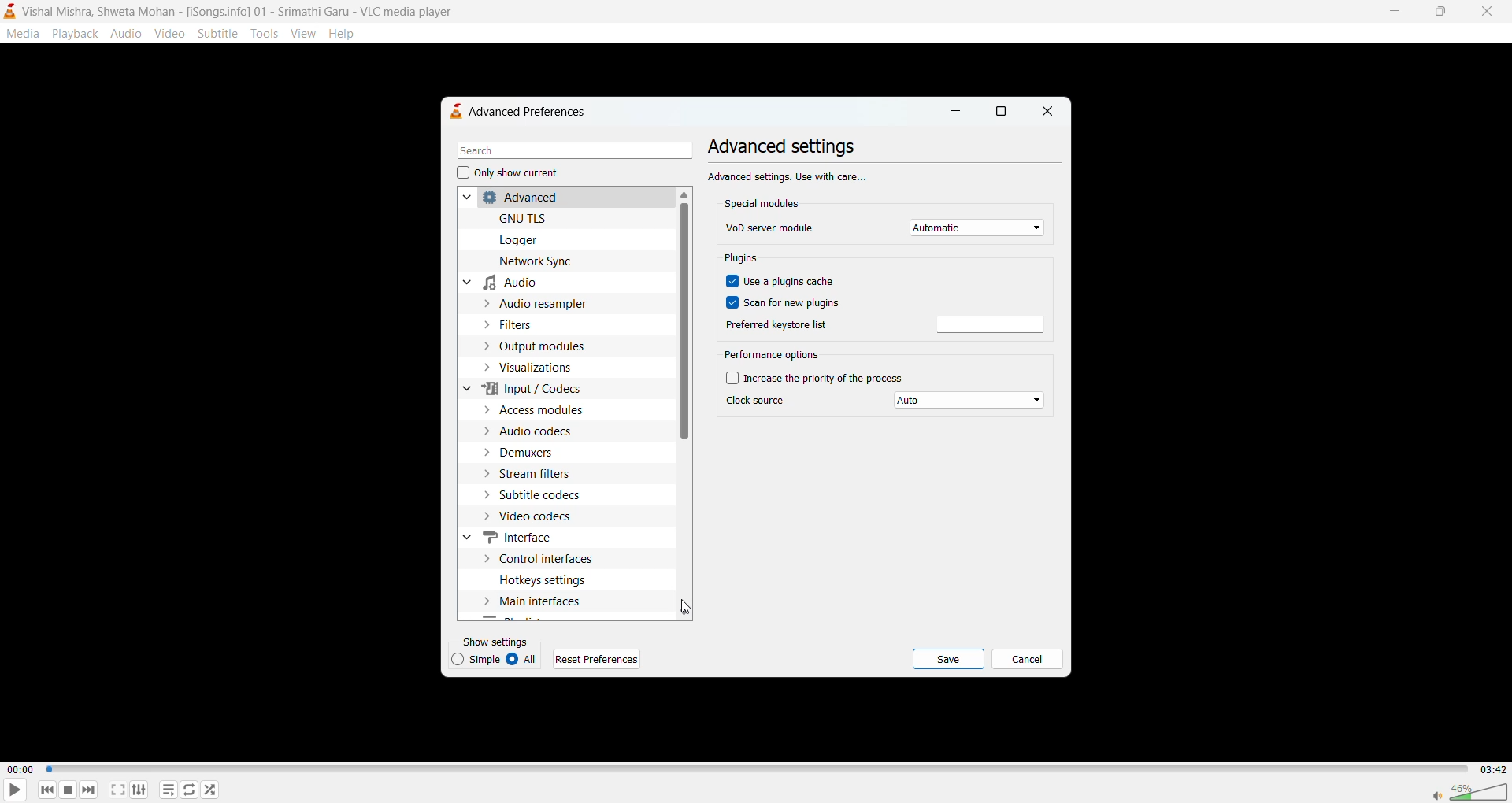 This screenshot has height=803, width=1512. What do you see at coordinates (599, 659) in the screenshot?
I see `reset preferences` at bounding box center [599, 659].